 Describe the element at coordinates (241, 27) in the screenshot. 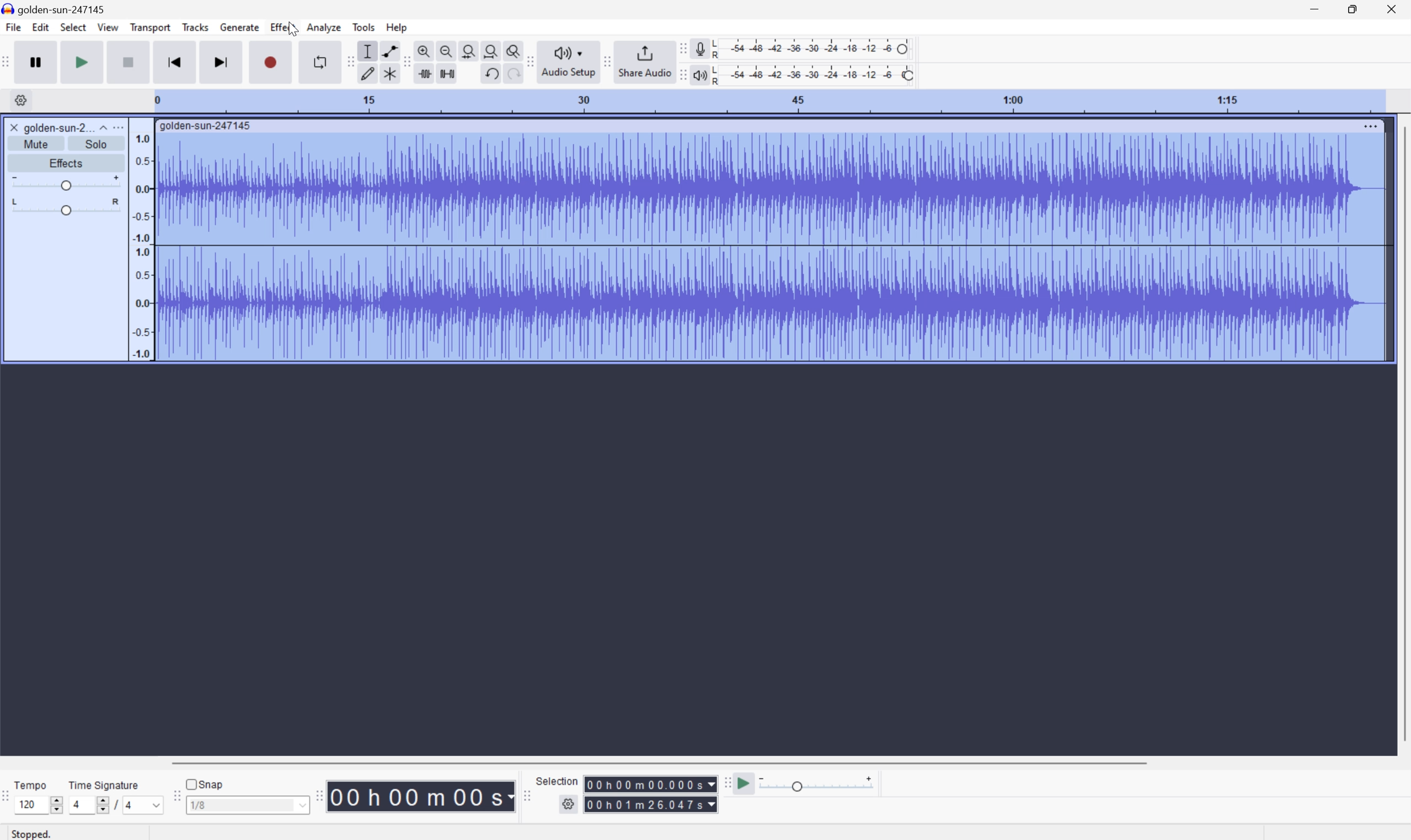

I see `Generate` at that location.